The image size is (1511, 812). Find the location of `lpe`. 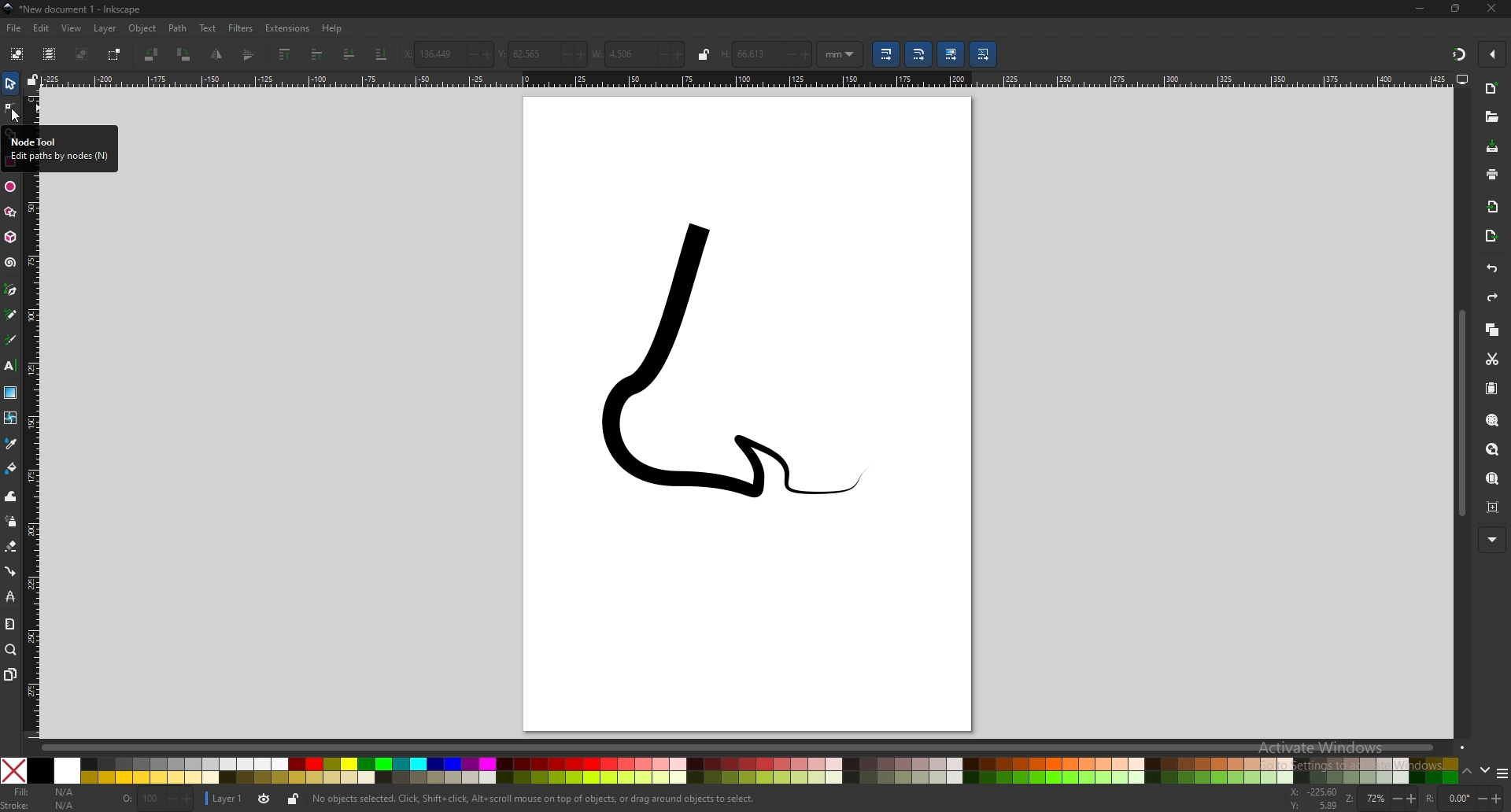

lpe is located at coordinates (10, 598).